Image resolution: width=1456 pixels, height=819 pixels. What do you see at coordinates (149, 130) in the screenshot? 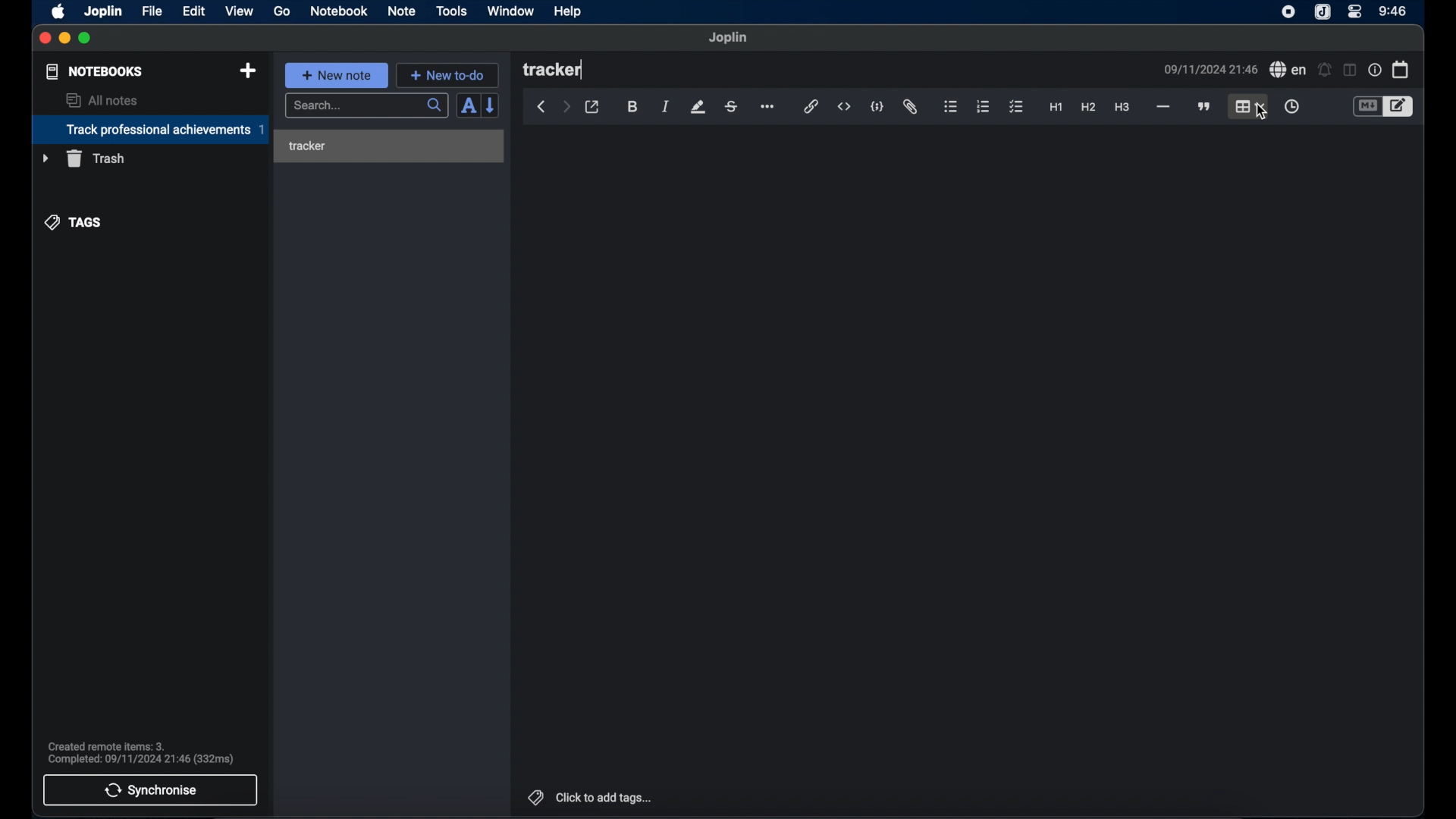
I see `track professional achievements` at bounding box center [149, 130].